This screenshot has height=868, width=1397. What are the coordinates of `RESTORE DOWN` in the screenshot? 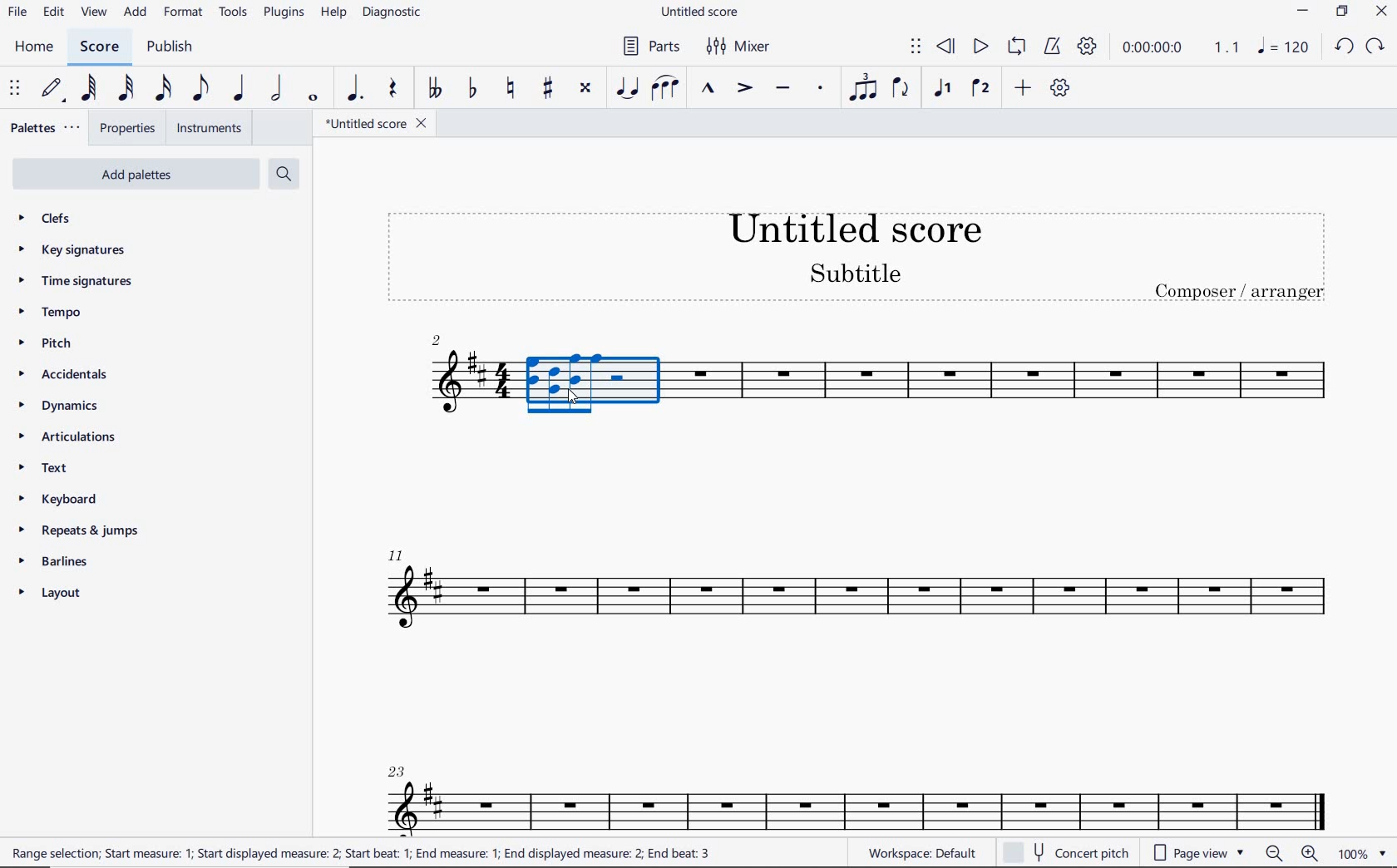 It's located at (1342, 13).